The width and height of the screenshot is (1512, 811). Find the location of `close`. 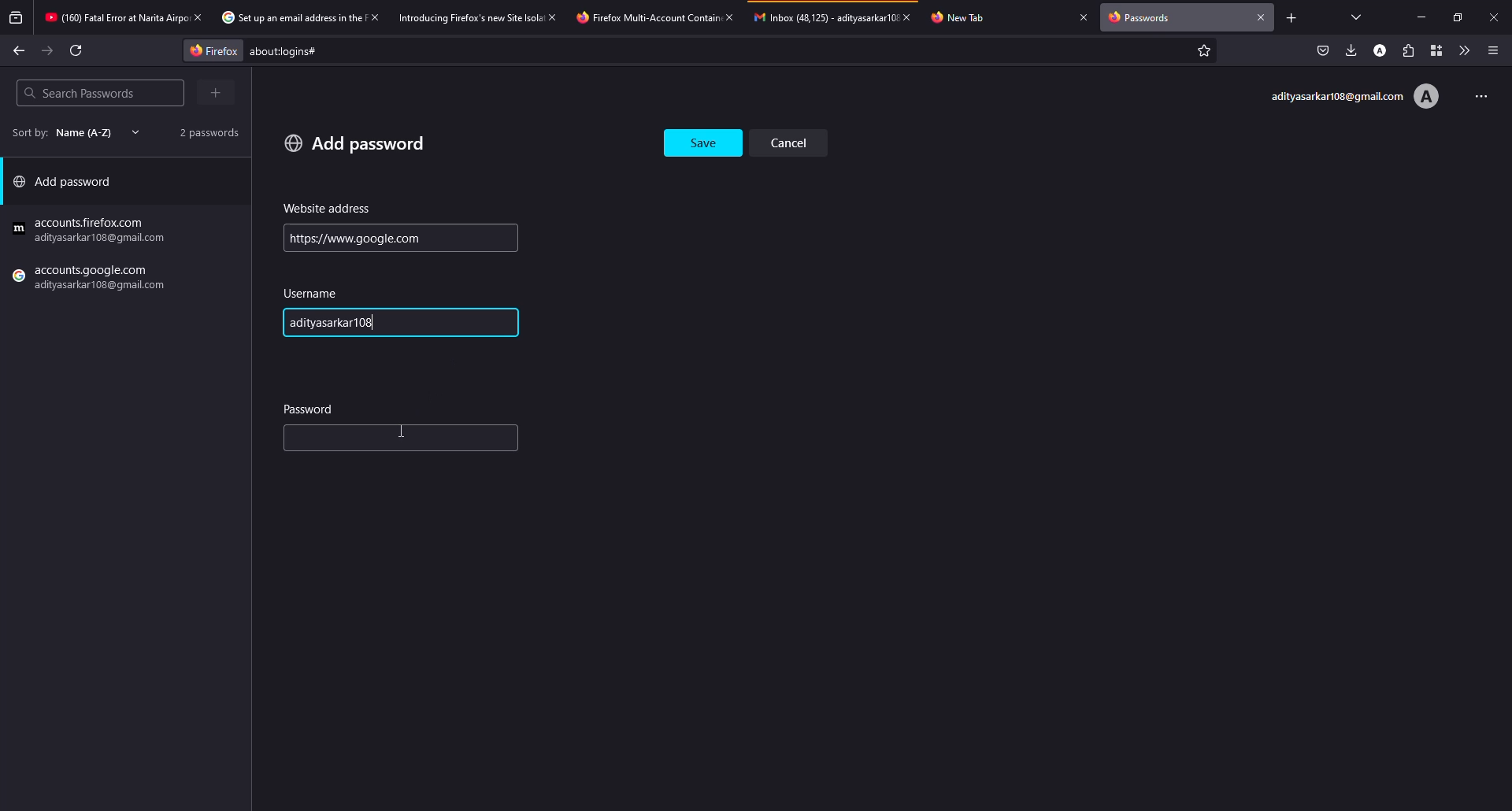

close is located at coordinates (912, 17).